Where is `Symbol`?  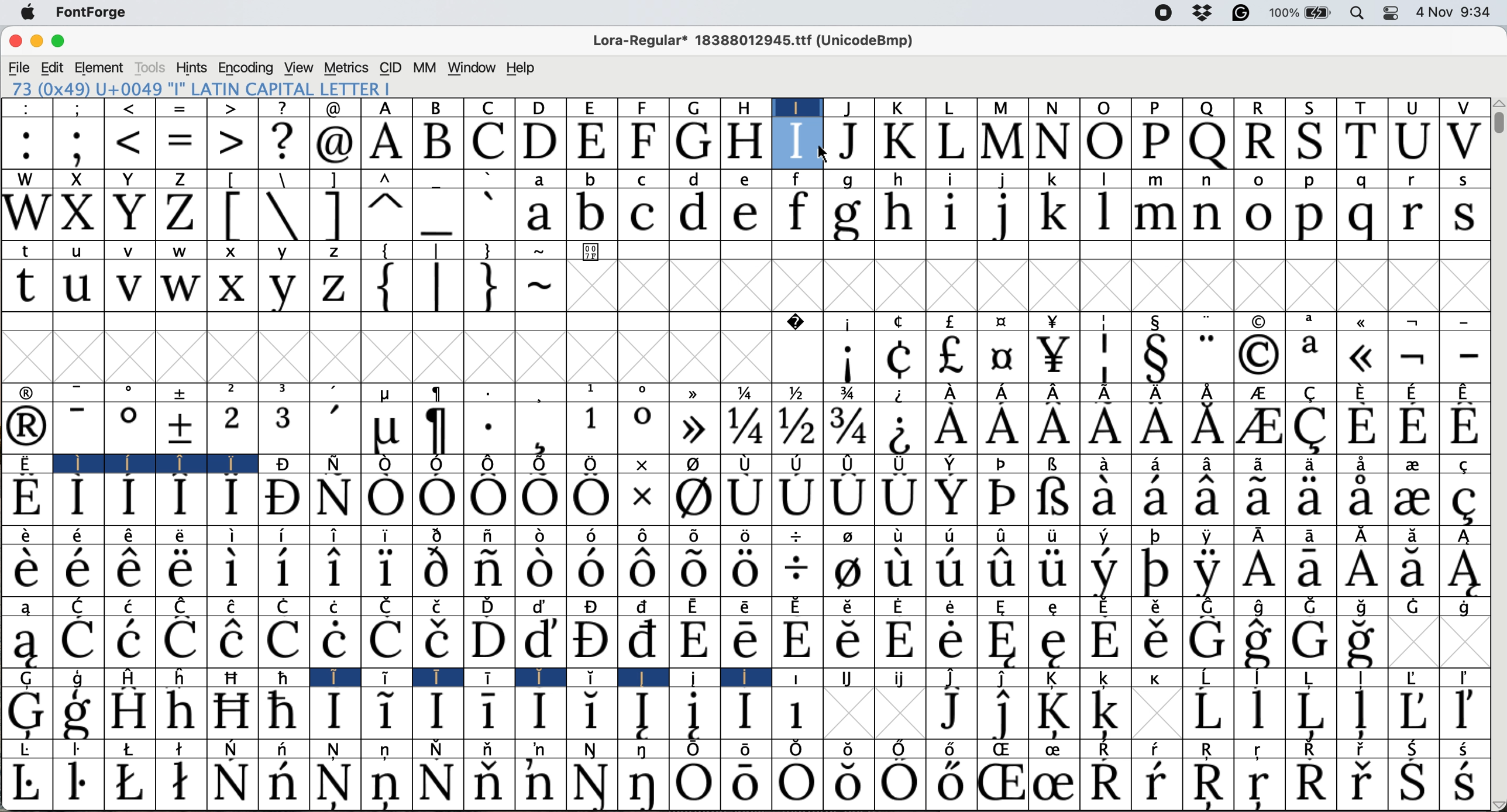
Symbol is located at coordinates (539, 536).